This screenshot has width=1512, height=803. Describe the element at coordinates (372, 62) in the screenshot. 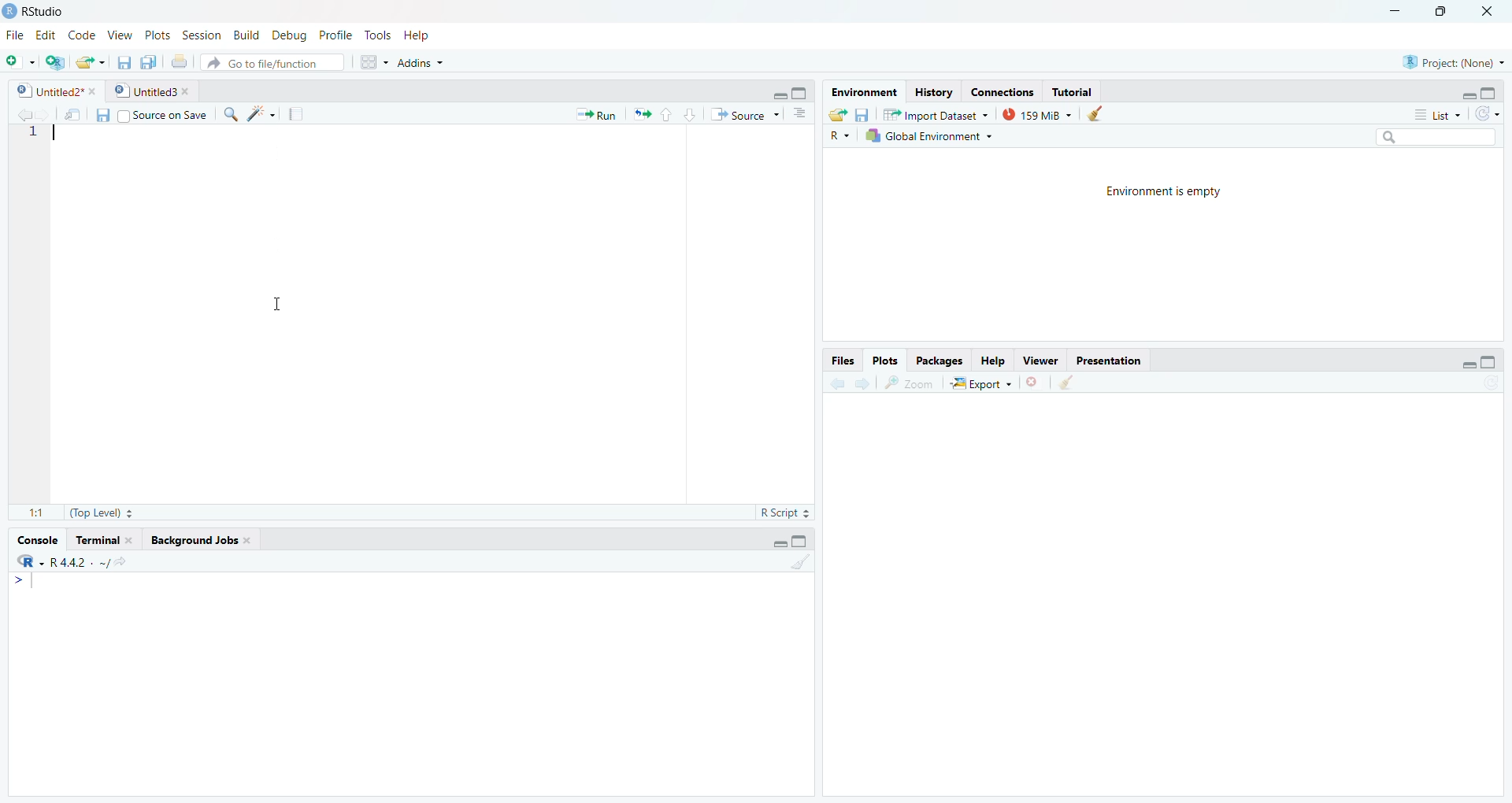

I see `Workspace panes` at that location.